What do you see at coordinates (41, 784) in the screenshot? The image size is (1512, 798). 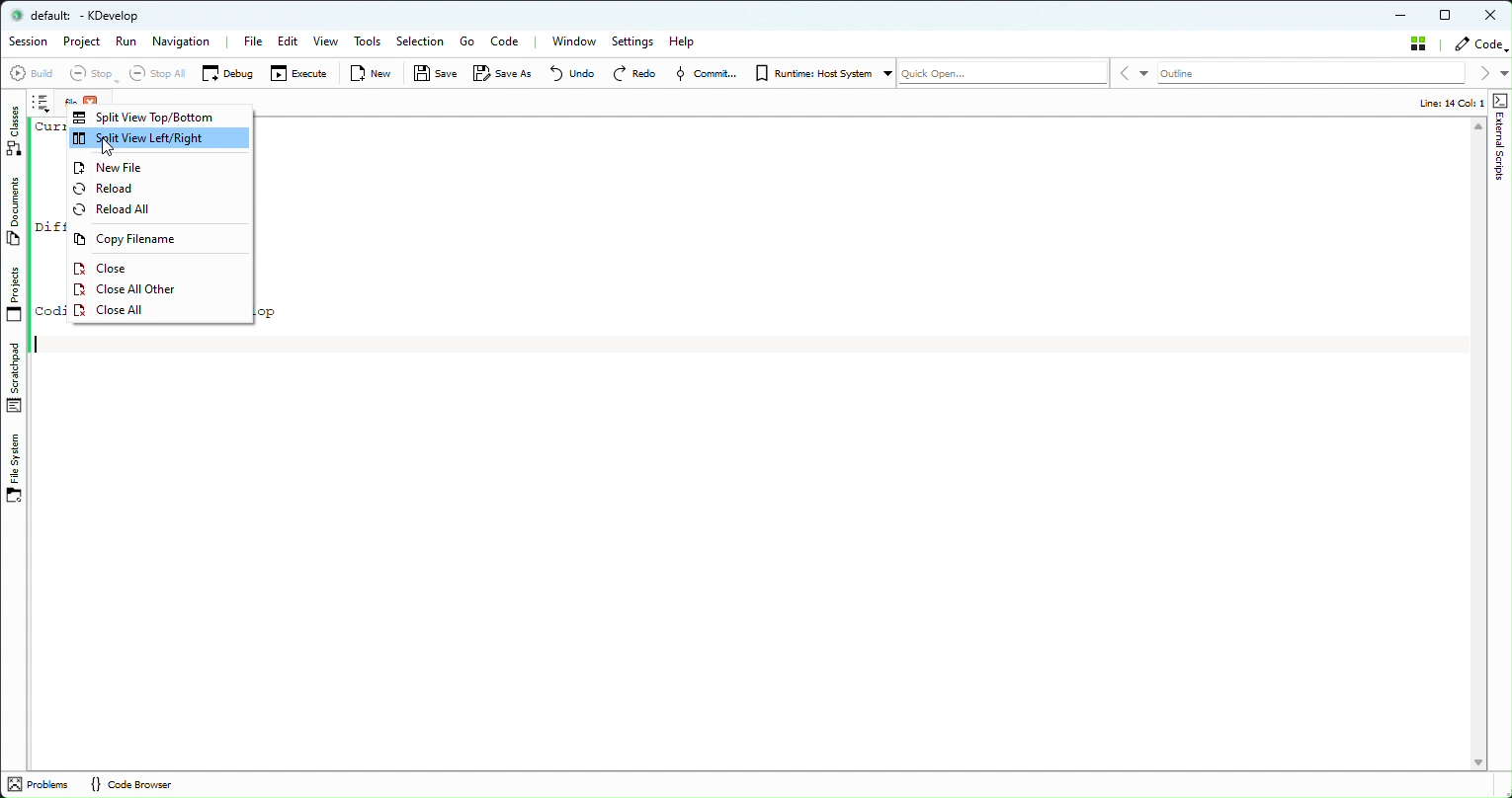 I see `problems` at bounding box center [41, 784].